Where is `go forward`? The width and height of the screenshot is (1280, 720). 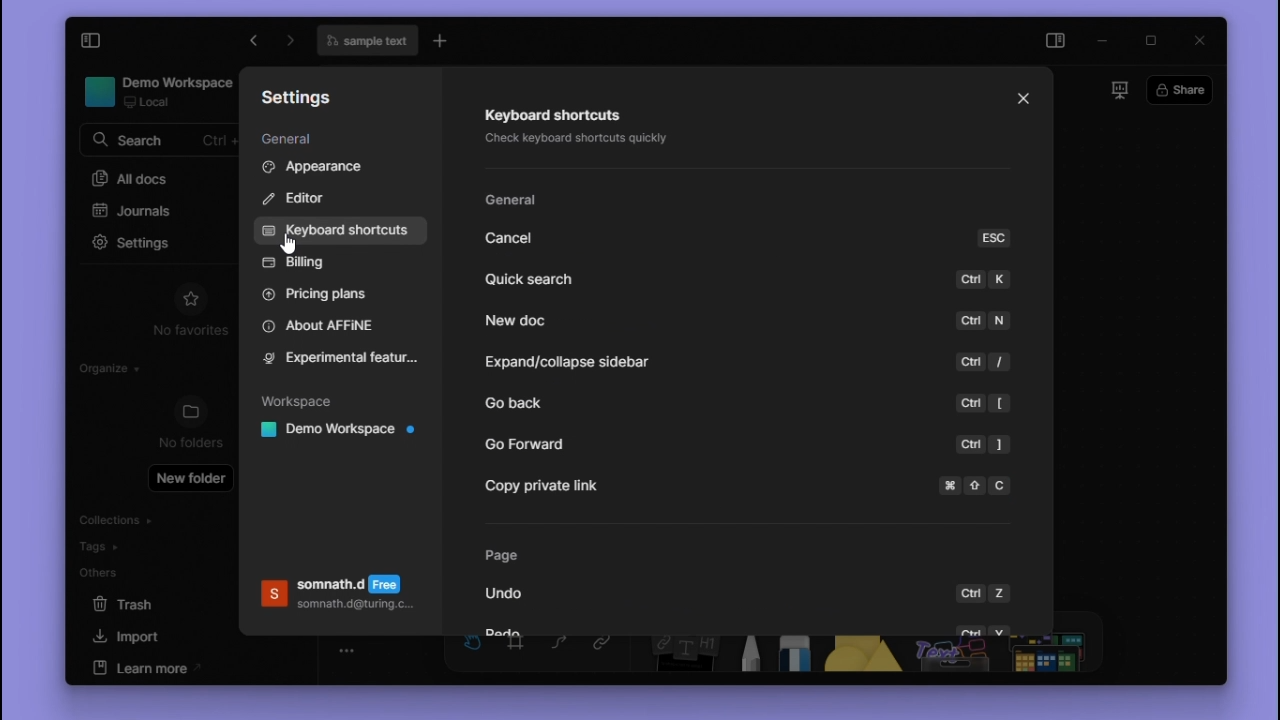 go forward is located at coordinates (250, 41).